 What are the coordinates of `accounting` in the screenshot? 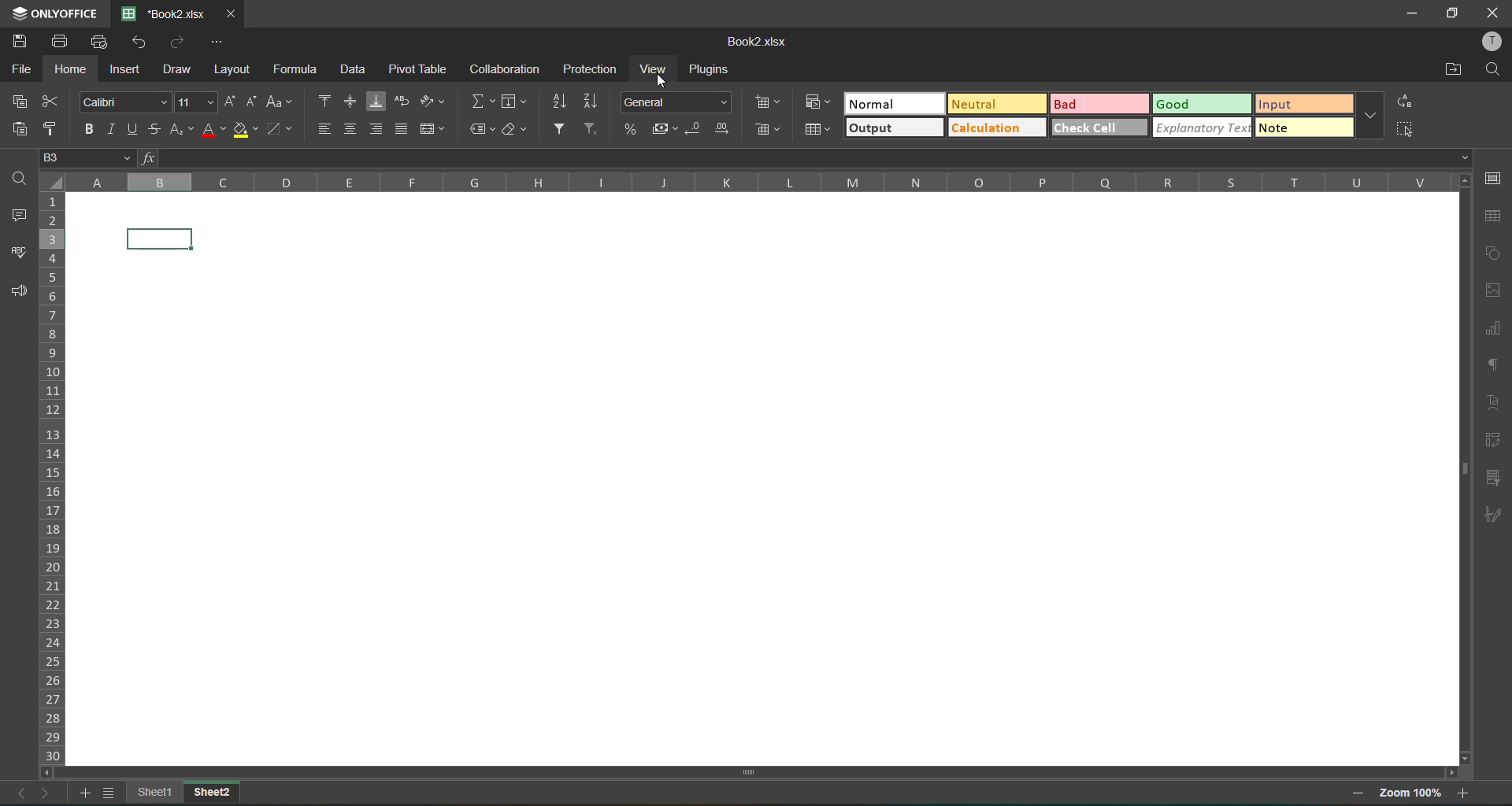 It's located at (666, 127).